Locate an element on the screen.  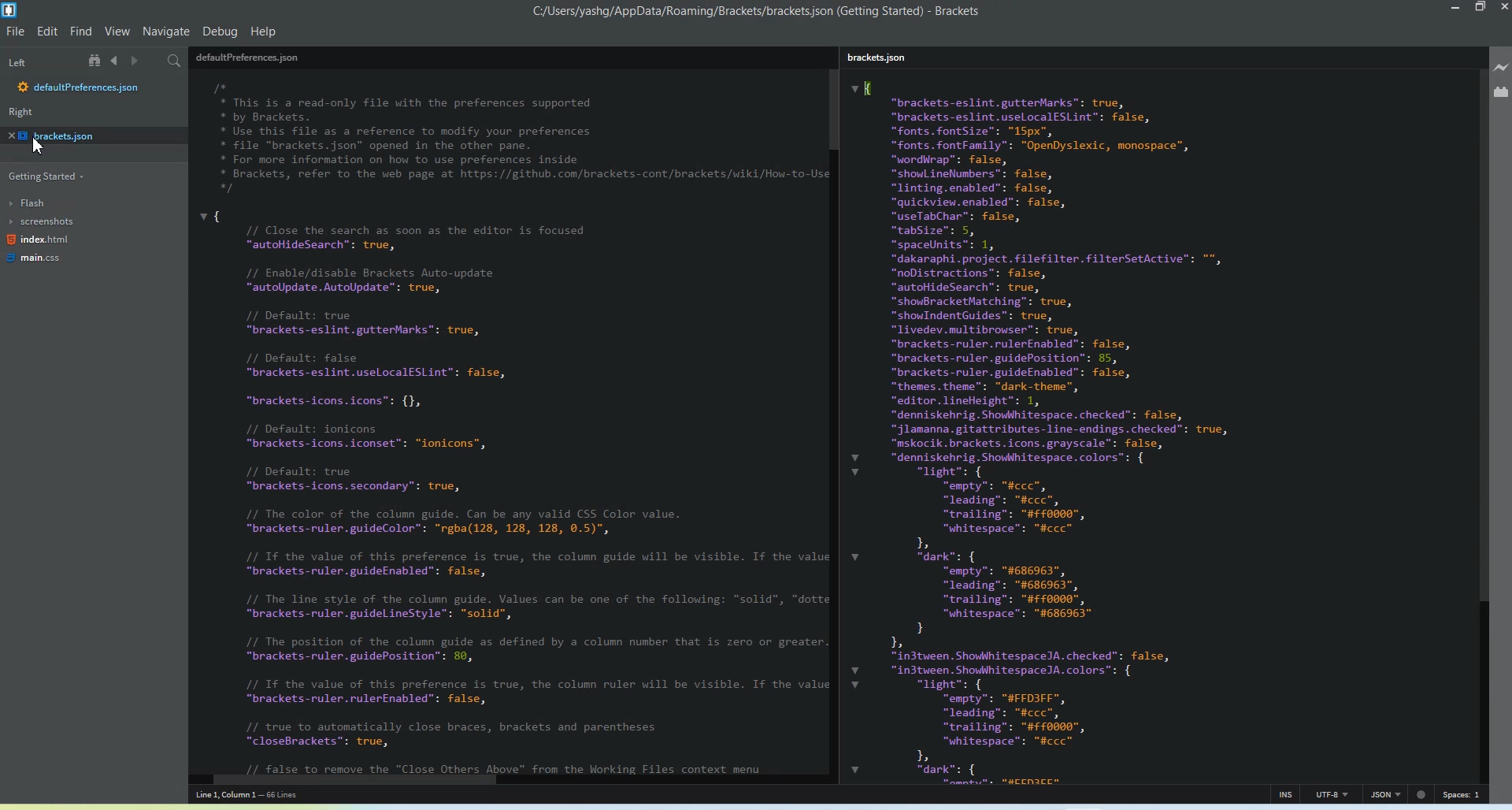
Vertical Scroll bar is located at coordinates (1482, 422).